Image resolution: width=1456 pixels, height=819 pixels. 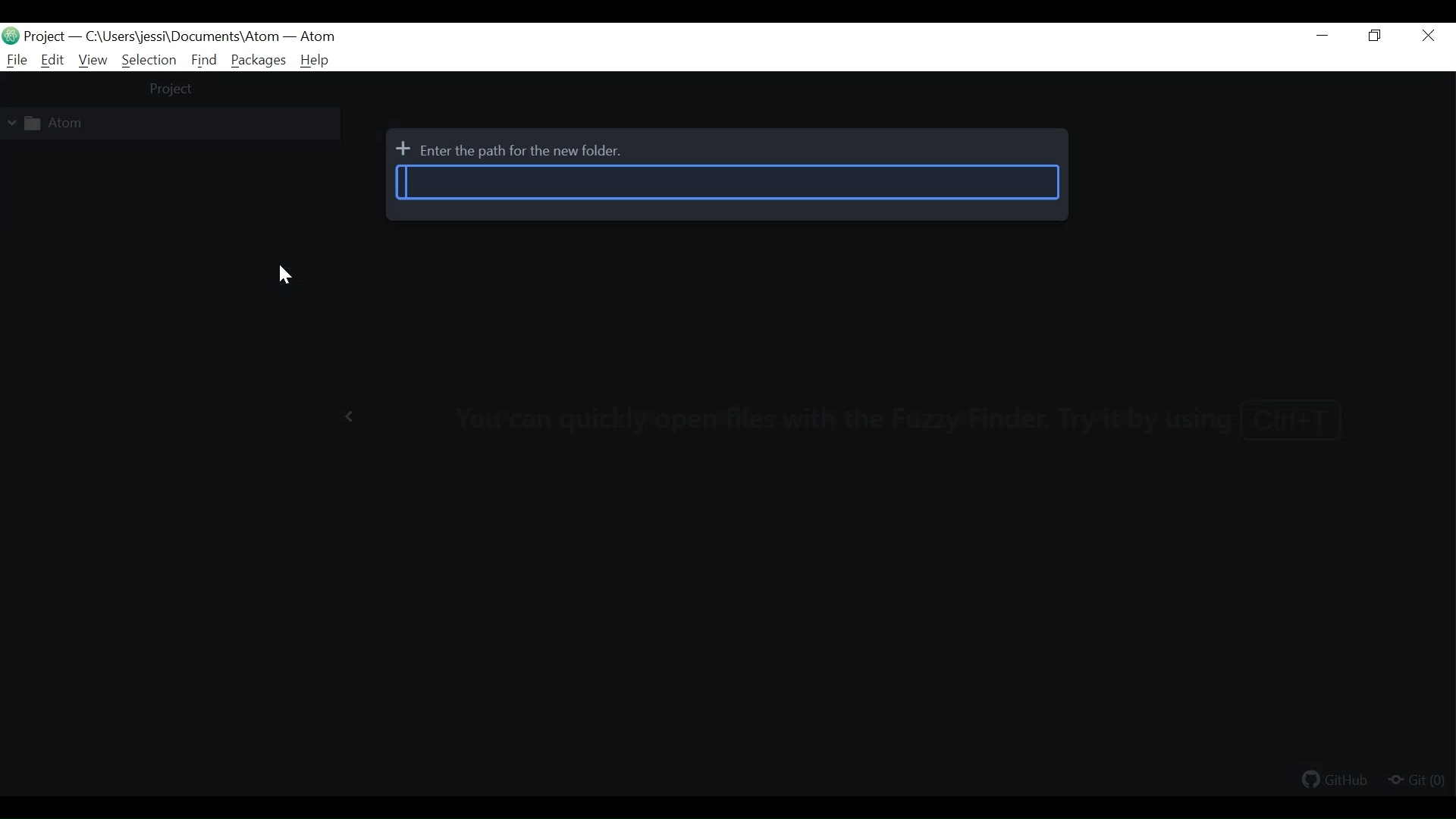 What do you see at coordinates (315, 61) in the screenshot?
I see `Help` at bounding box center [315, 61].